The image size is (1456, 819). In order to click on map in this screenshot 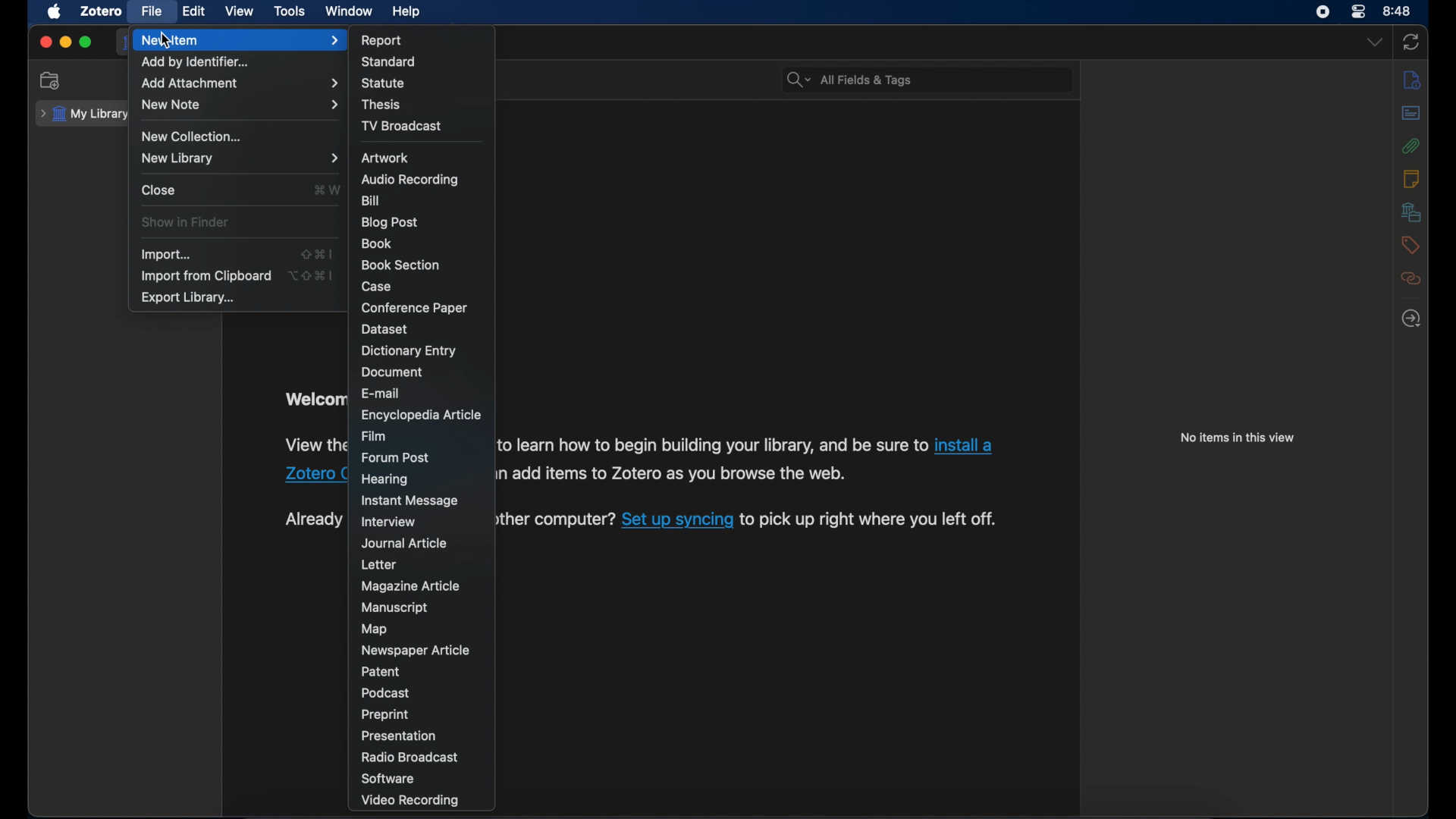, I will do `click(376, 629)`.